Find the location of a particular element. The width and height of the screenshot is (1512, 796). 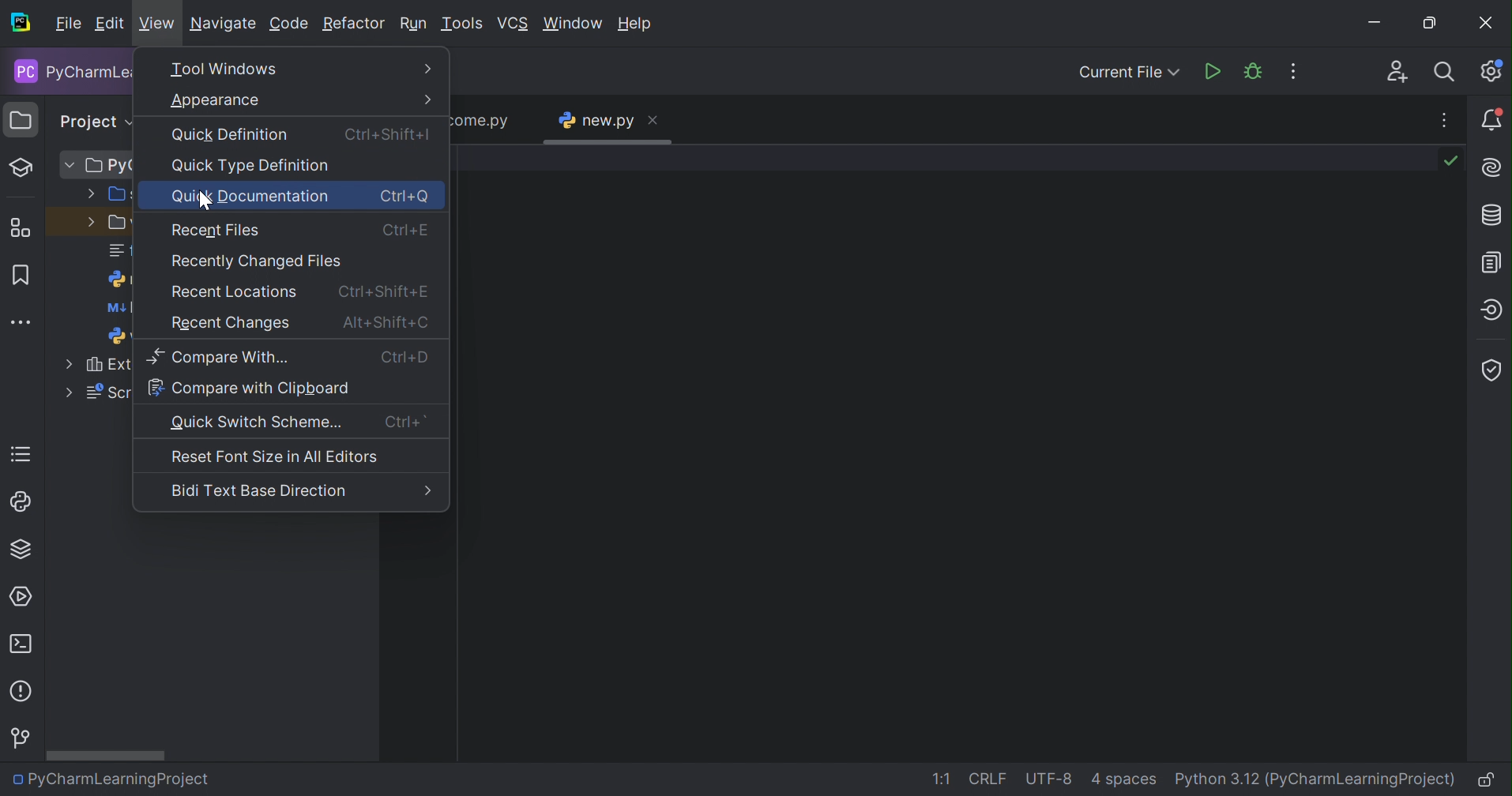

Notifications is located at coordinates (1491, 119).